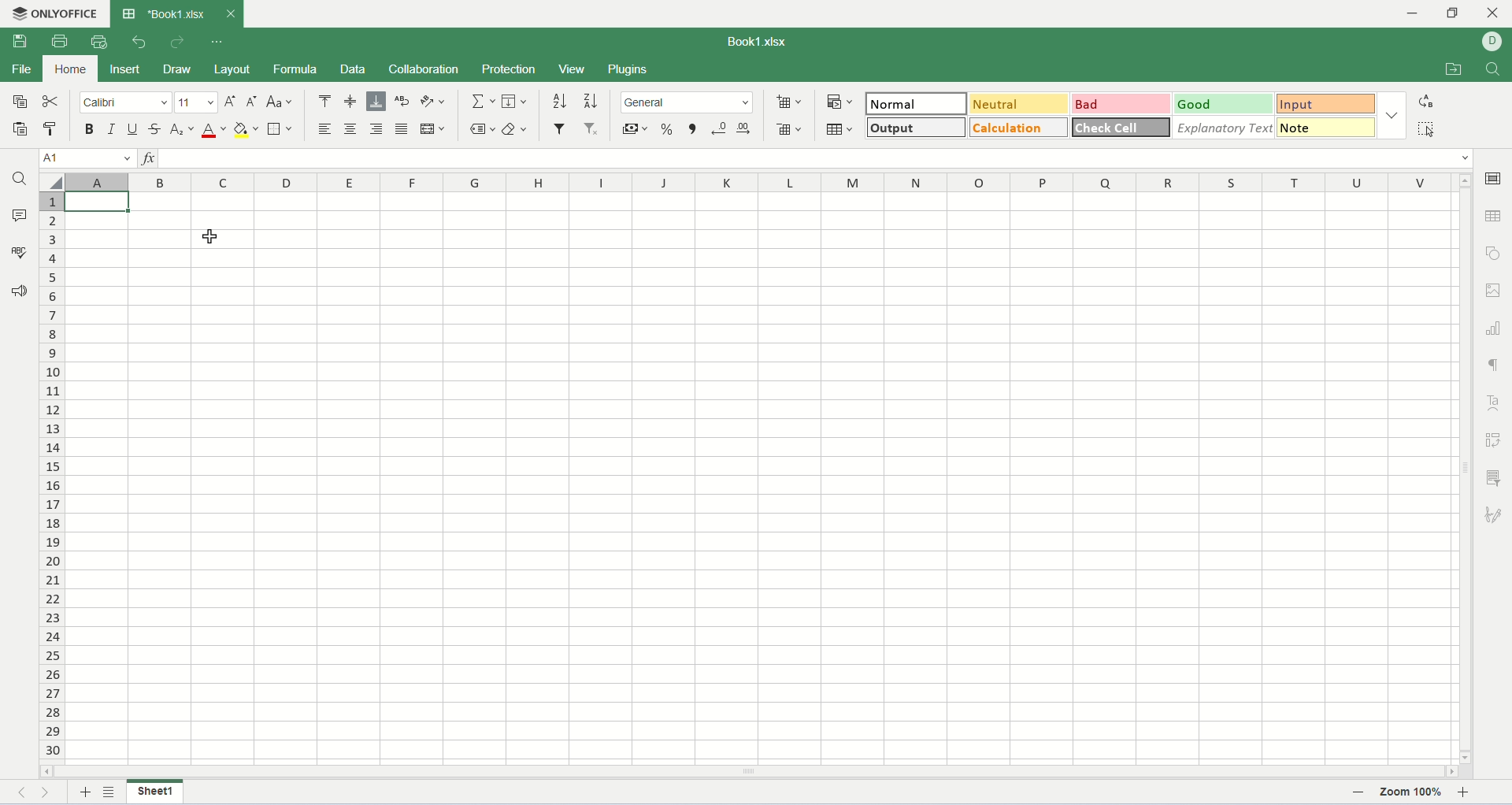 Image resolution: width=1512 pixels, height=805 pixels. I want to click on vertical scroll bar, so click(1463, 466).